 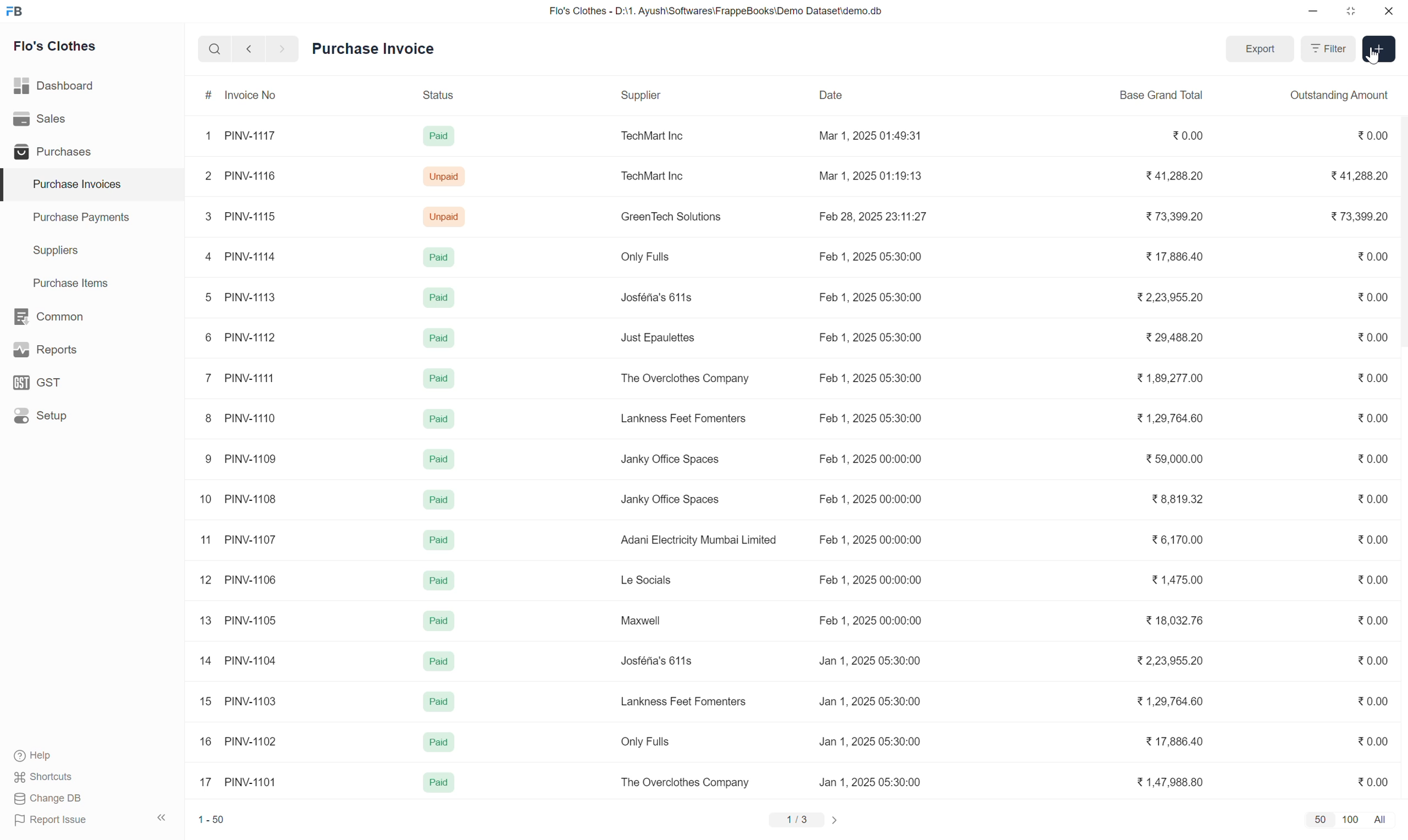 I want to click on 8  PINV-1110, so click(x=242, y=418).